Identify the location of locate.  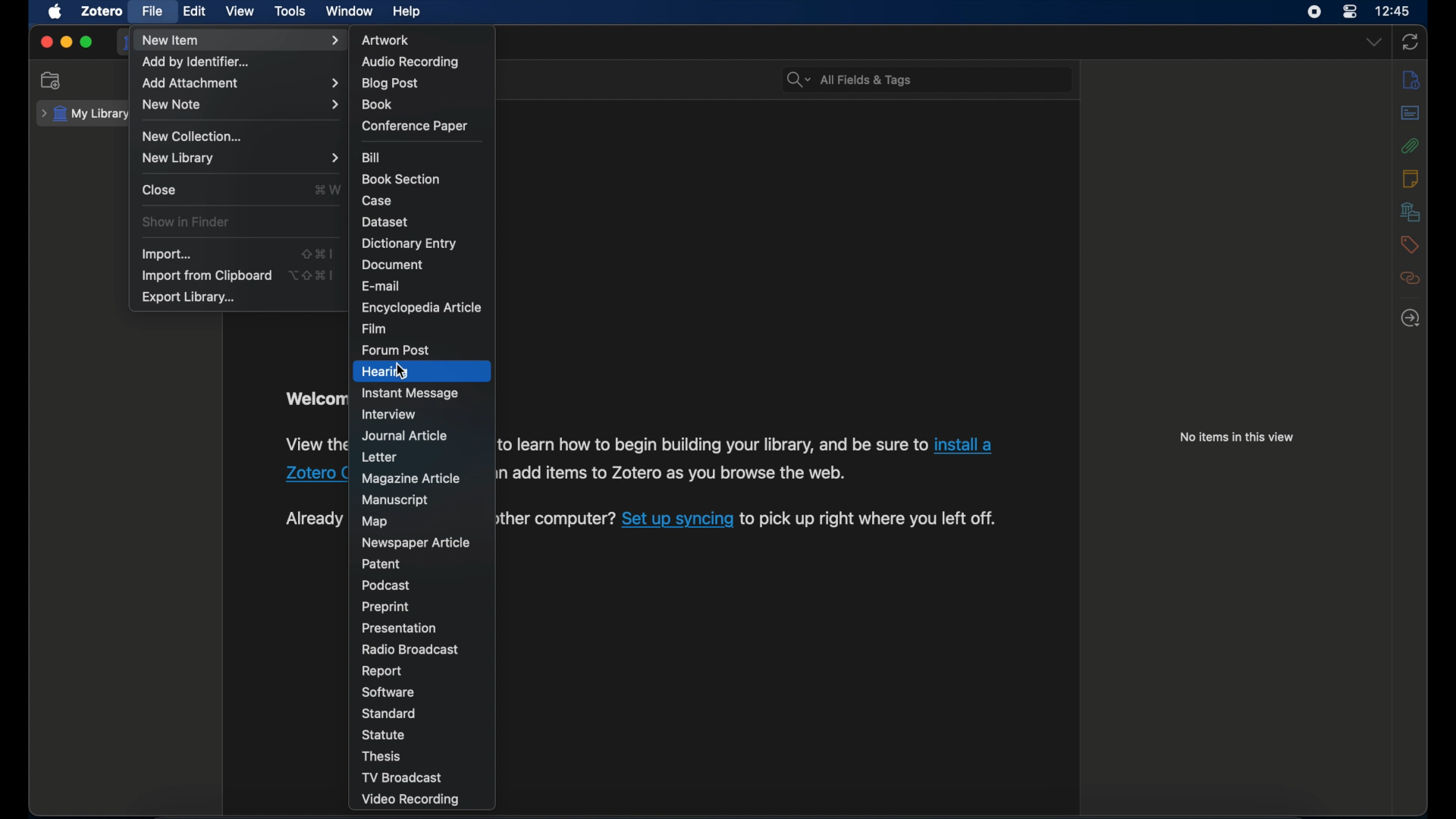
(1411, 318).